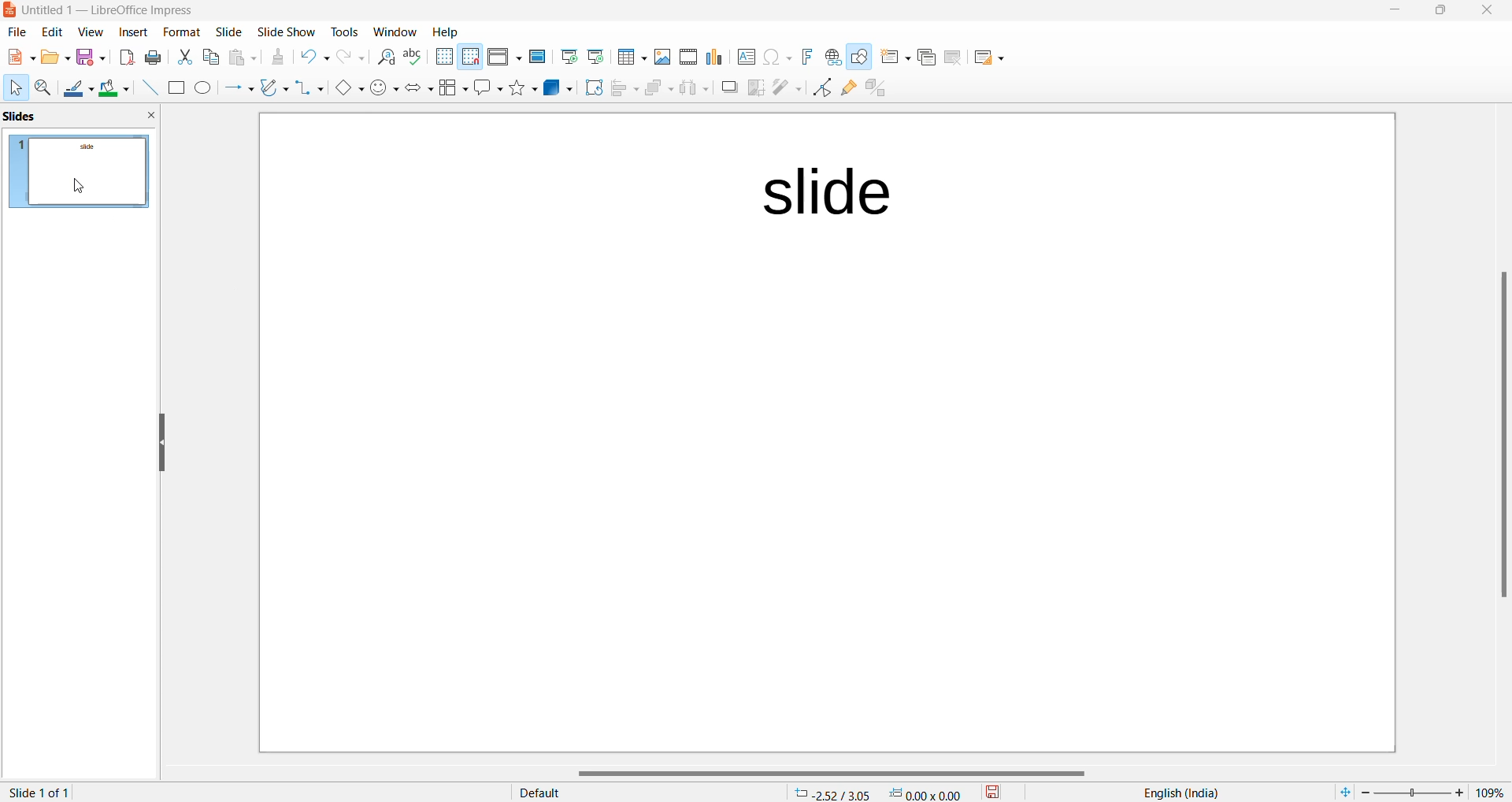 The width and height of the screenshot is (1512, 802). Describe the element at coordinates (186, 56) in the screenshot. I see `cut` at that location.